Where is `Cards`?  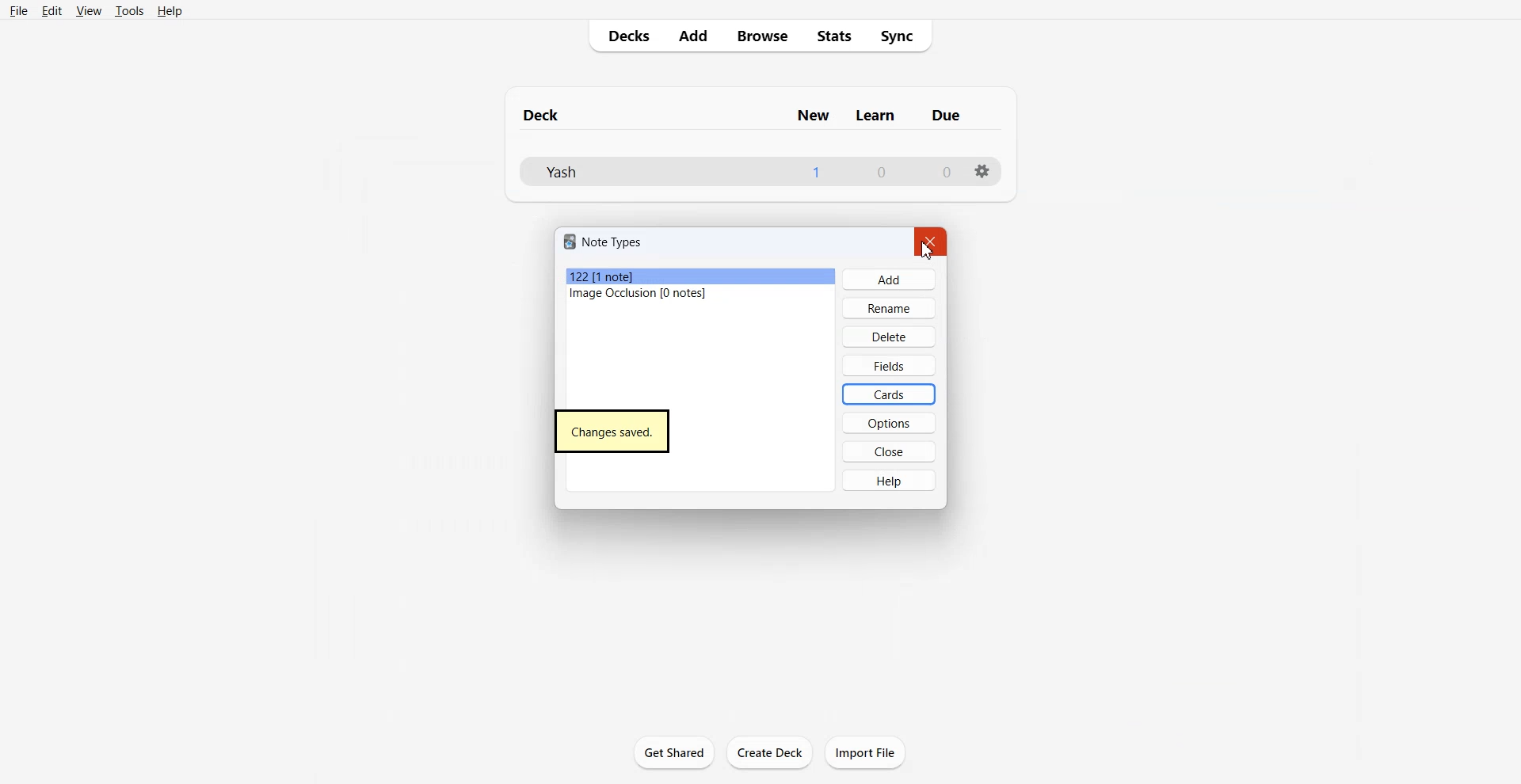
Cards is located at coordinates (889, 394).